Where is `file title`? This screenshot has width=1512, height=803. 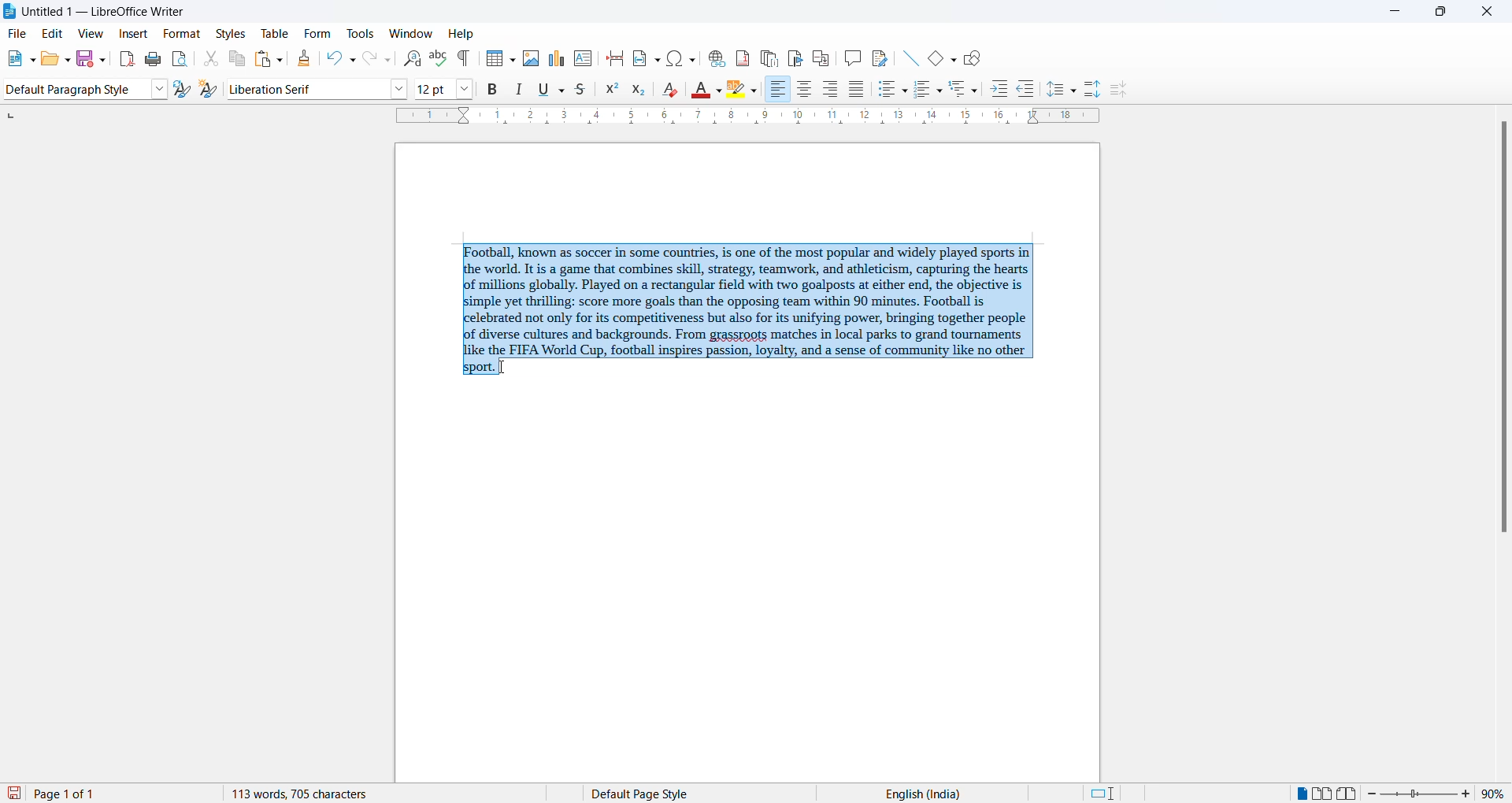 file title is located at coordinates (102, 13).